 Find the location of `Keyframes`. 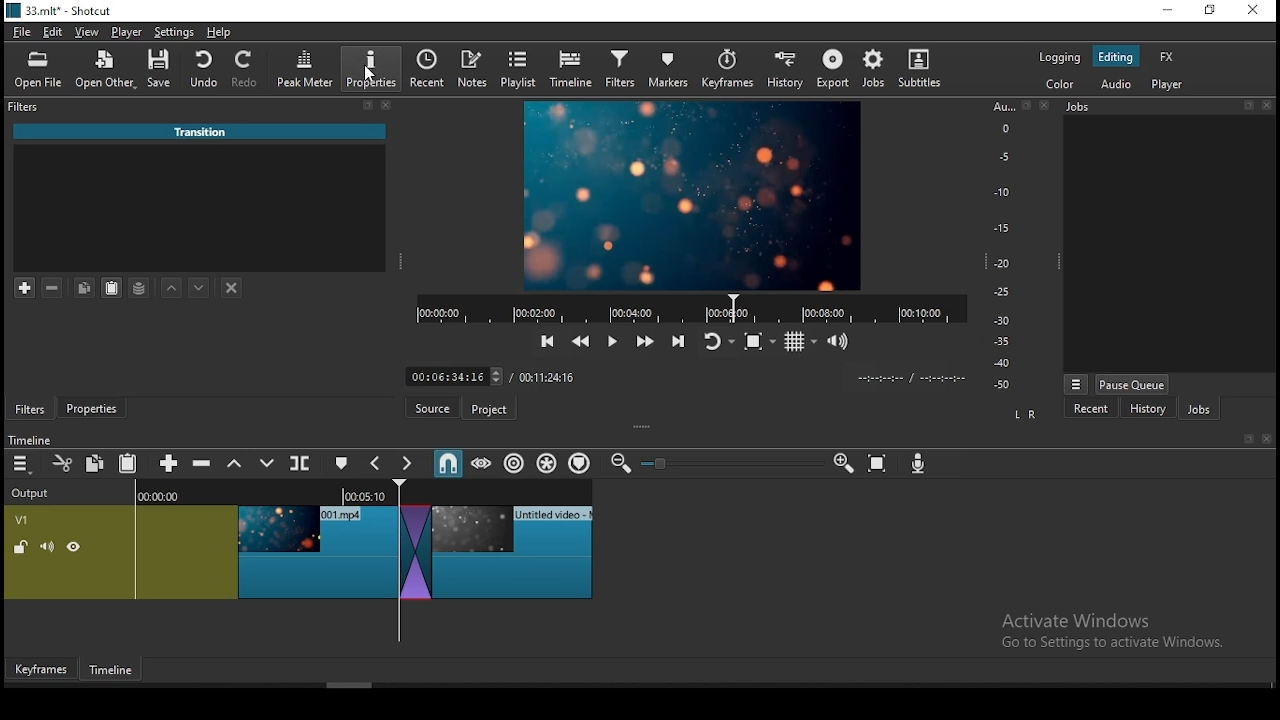

Keyframes is located at coordinates (39, 670).